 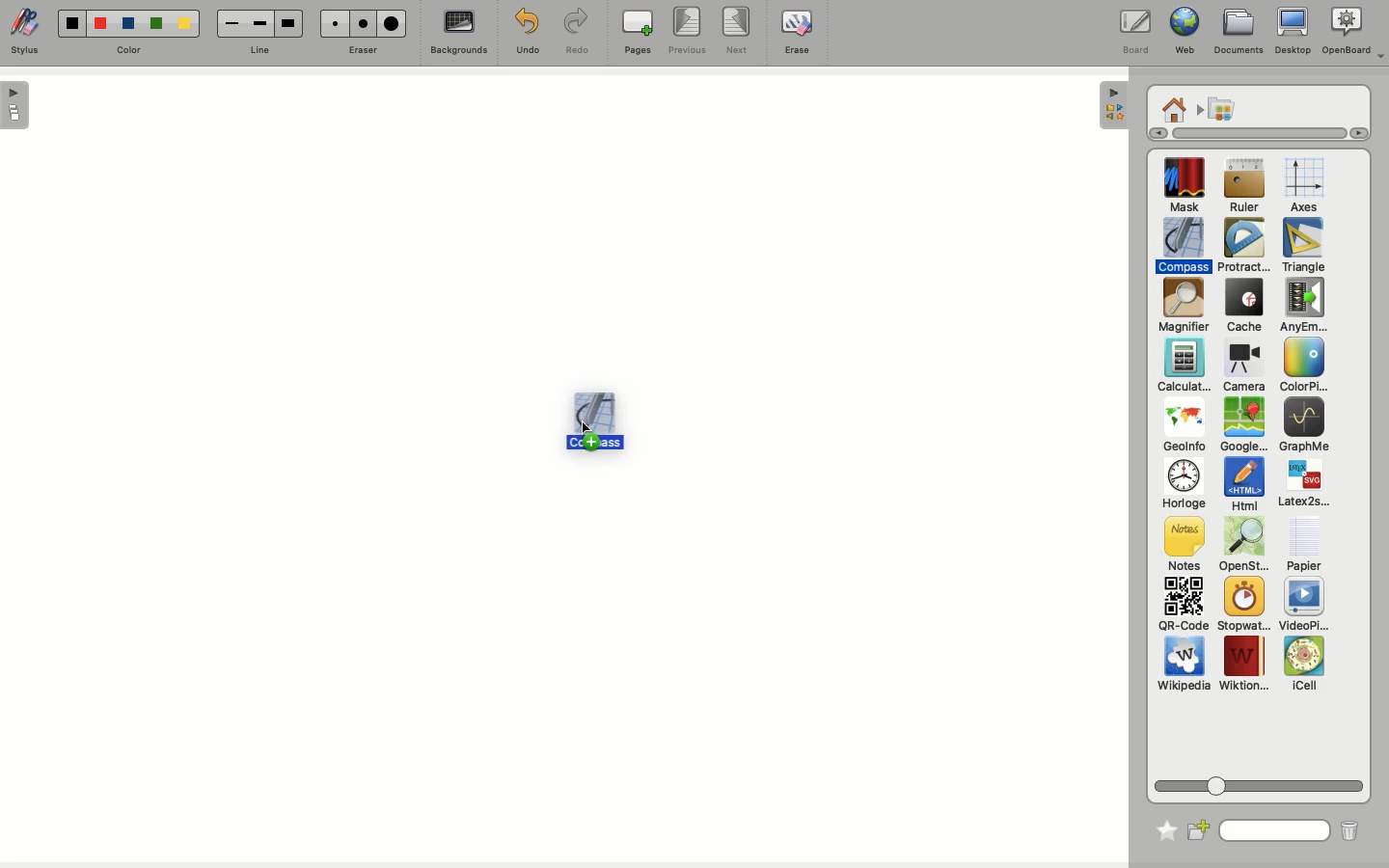 What do you see at coordinates (1304, 484) in the screenshot?
I see `Latex2s` at bounding box center [1304, 484].